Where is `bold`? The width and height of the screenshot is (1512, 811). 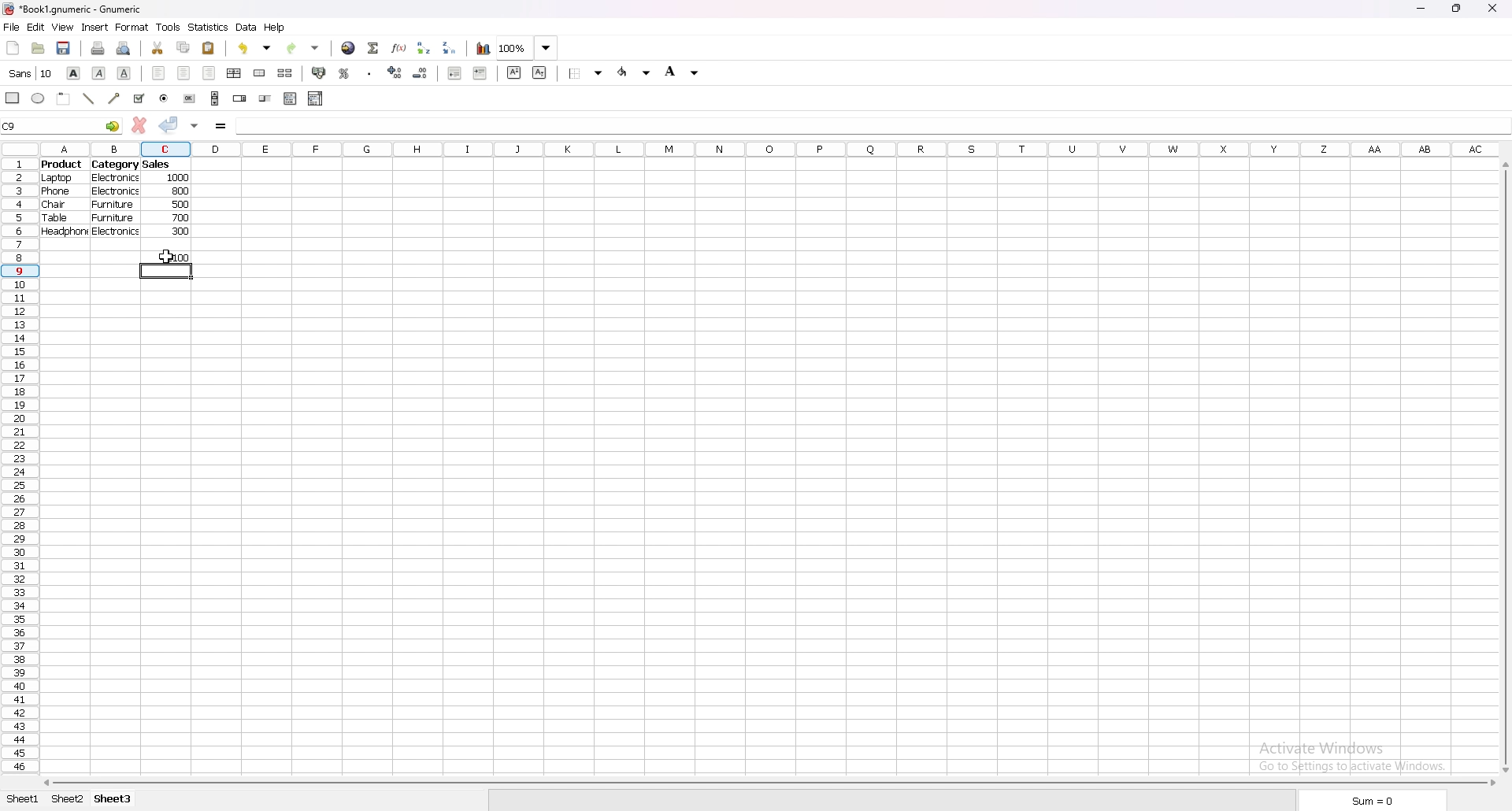 bold is located at coordinates (76, 73).